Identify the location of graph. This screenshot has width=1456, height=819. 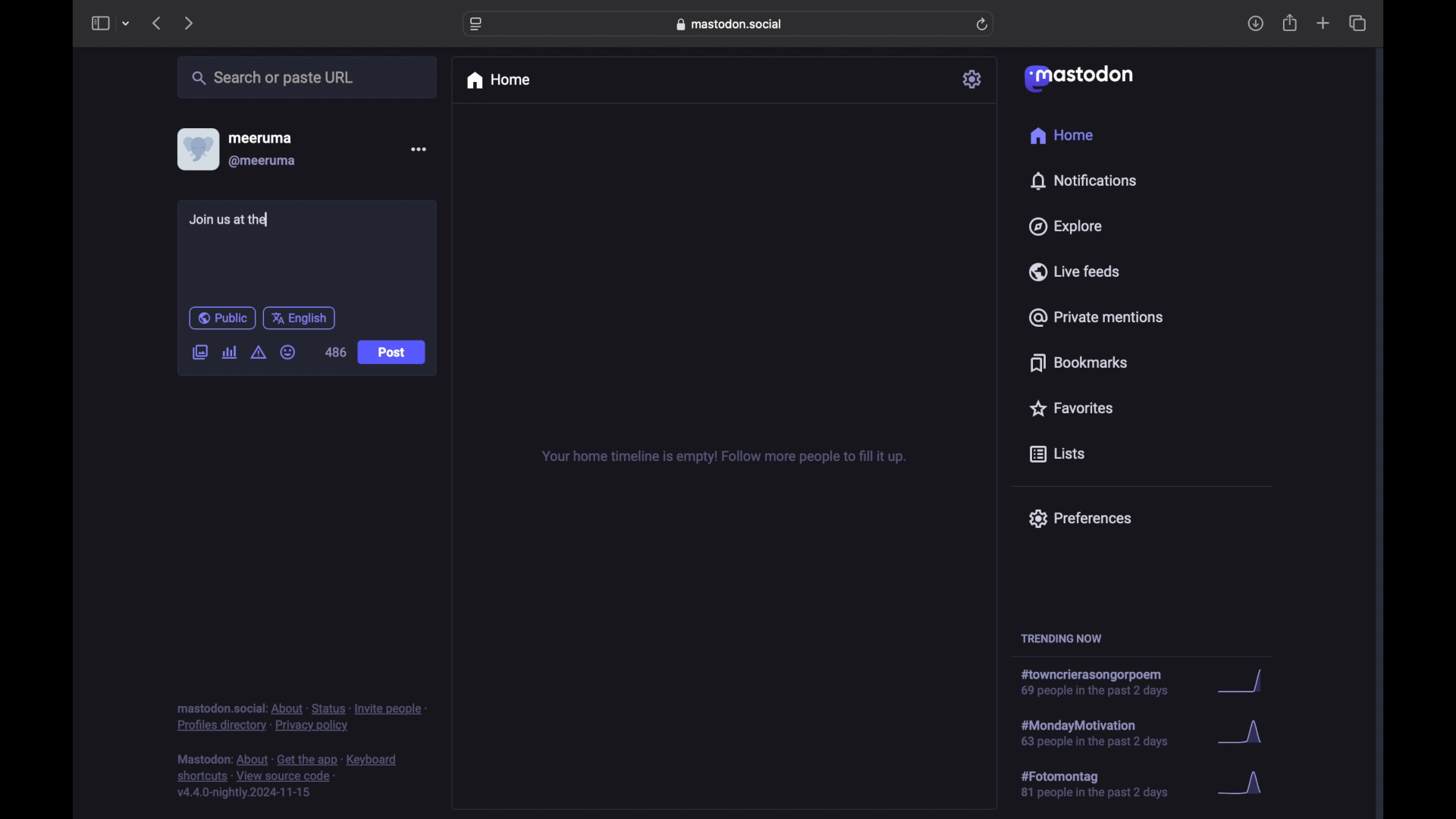
(1244, 682).